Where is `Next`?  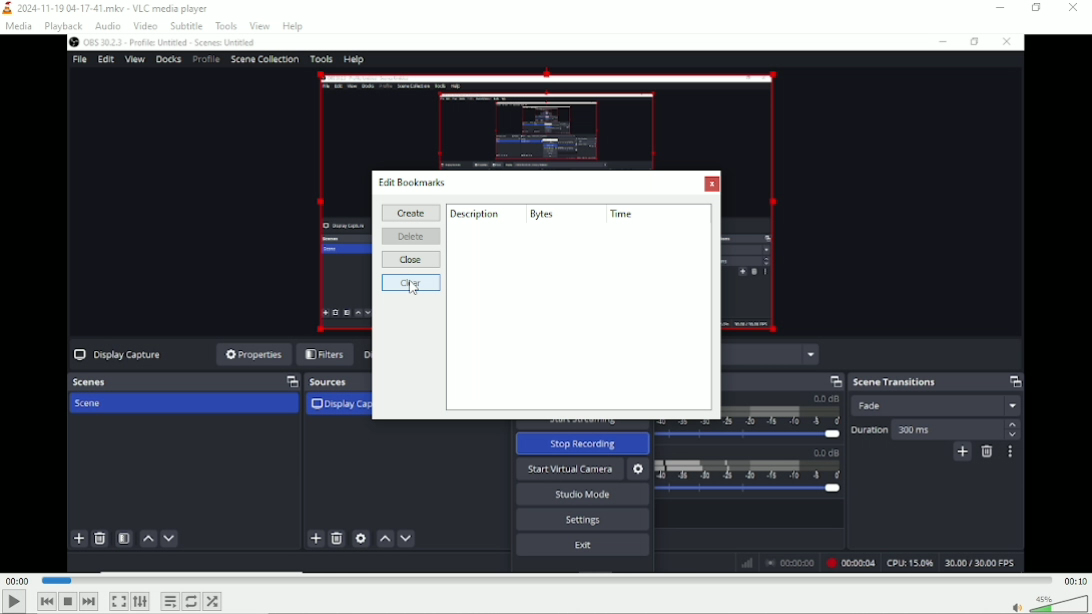
Next is located at coordinates (89, 601).